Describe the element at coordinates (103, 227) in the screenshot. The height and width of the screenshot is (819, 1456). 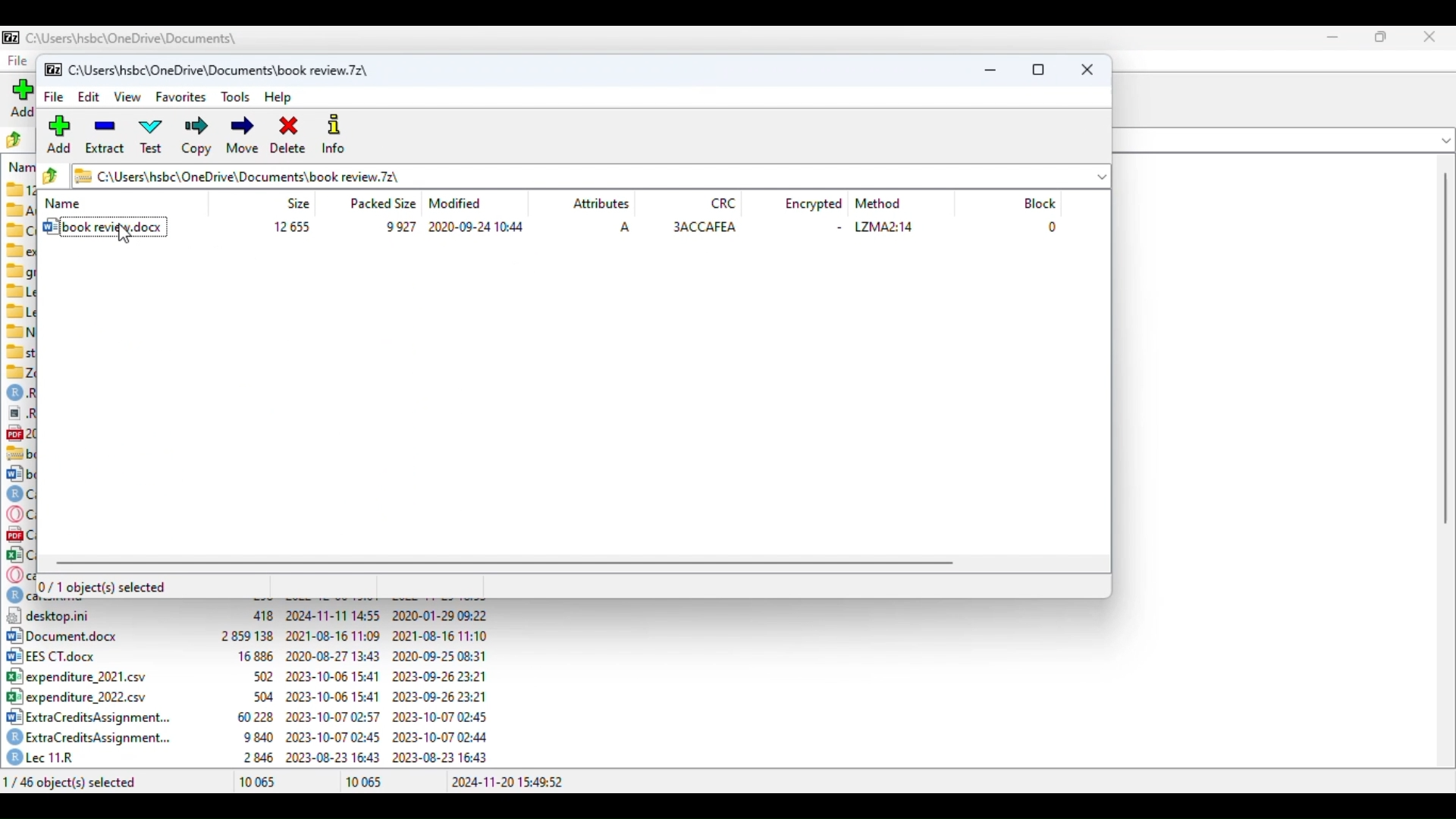
I see `book review.docx` at that location.